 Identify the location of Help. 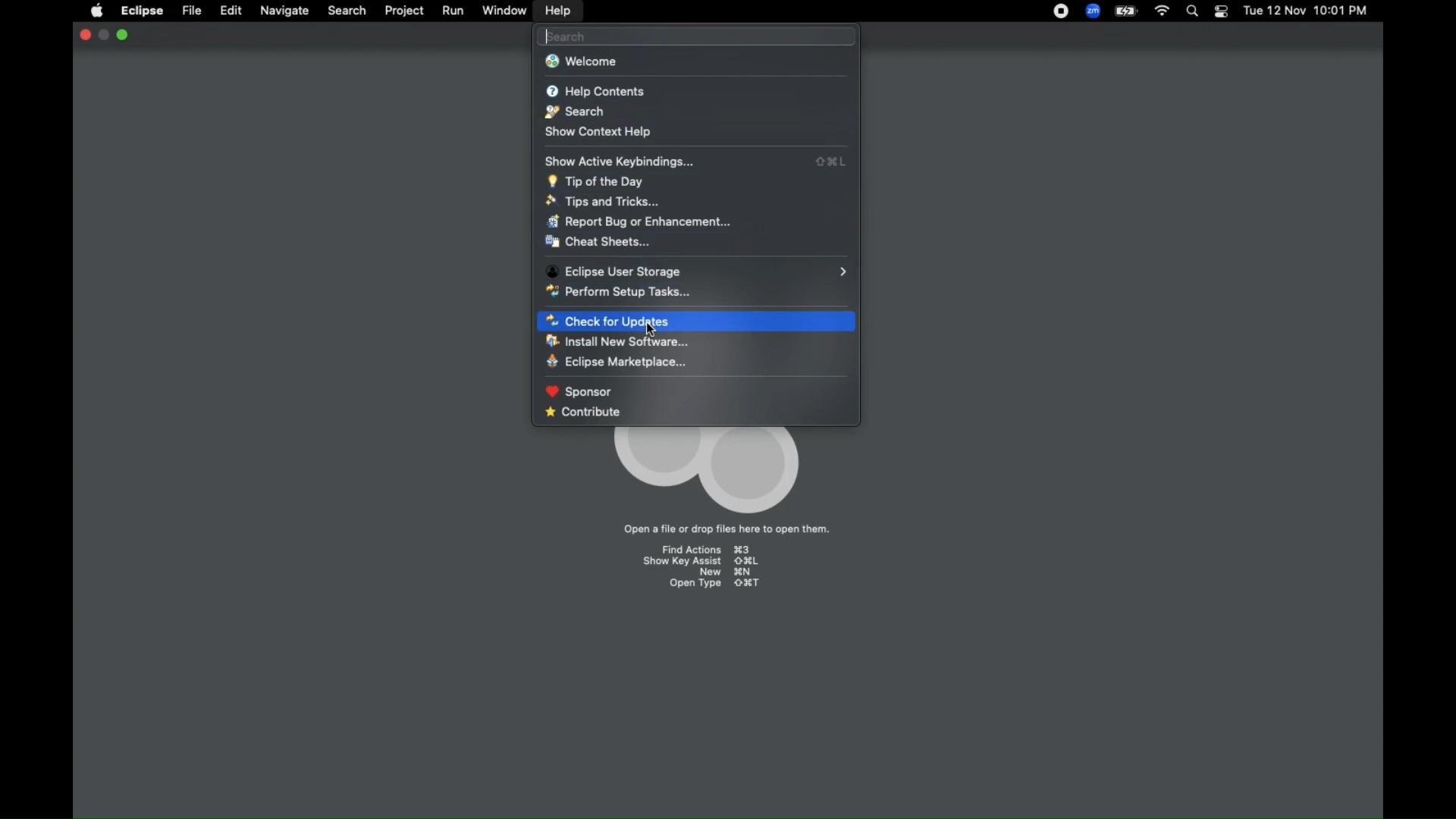
(557, 11).